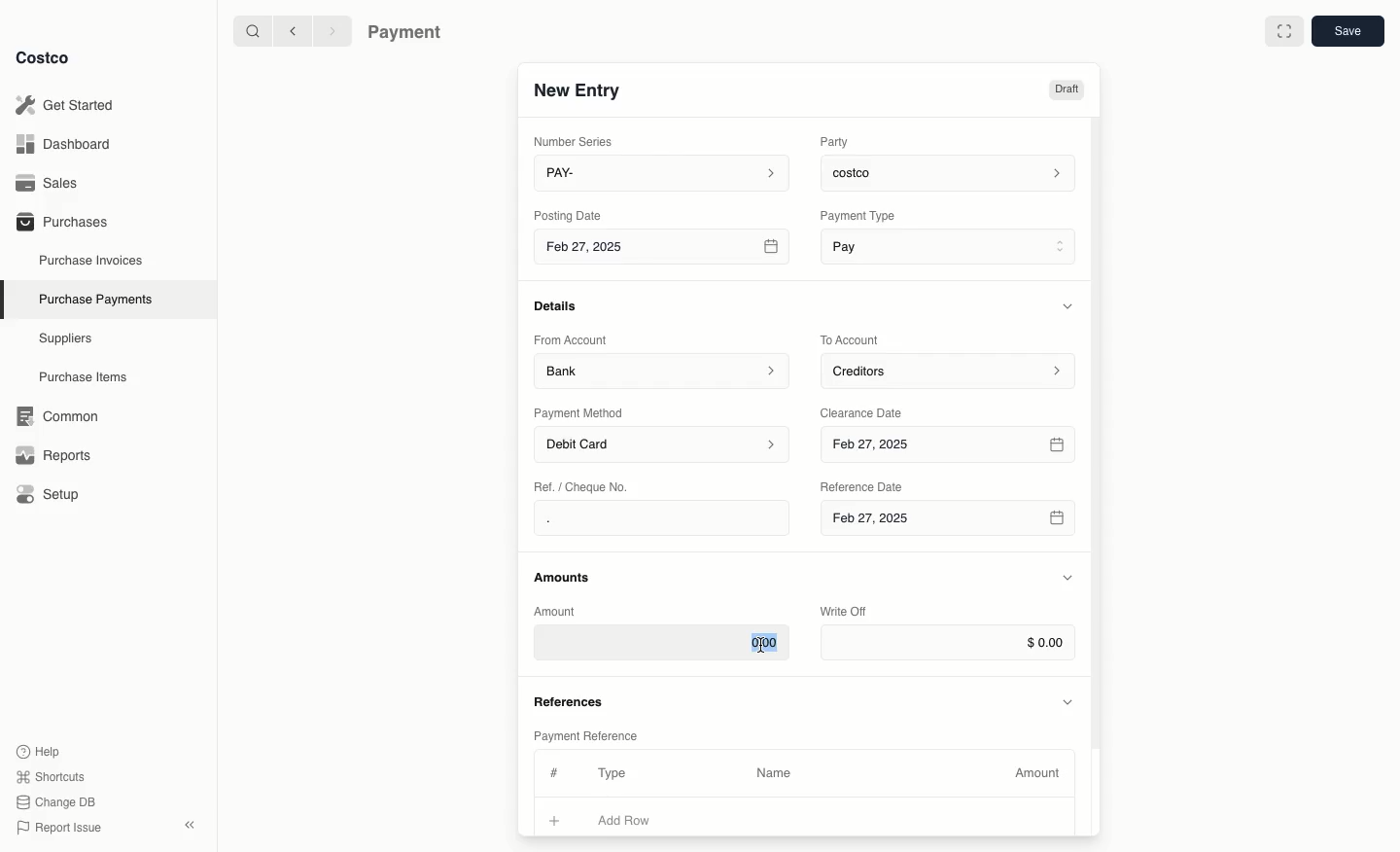  I want to click on Number Series, so click(577, 141).